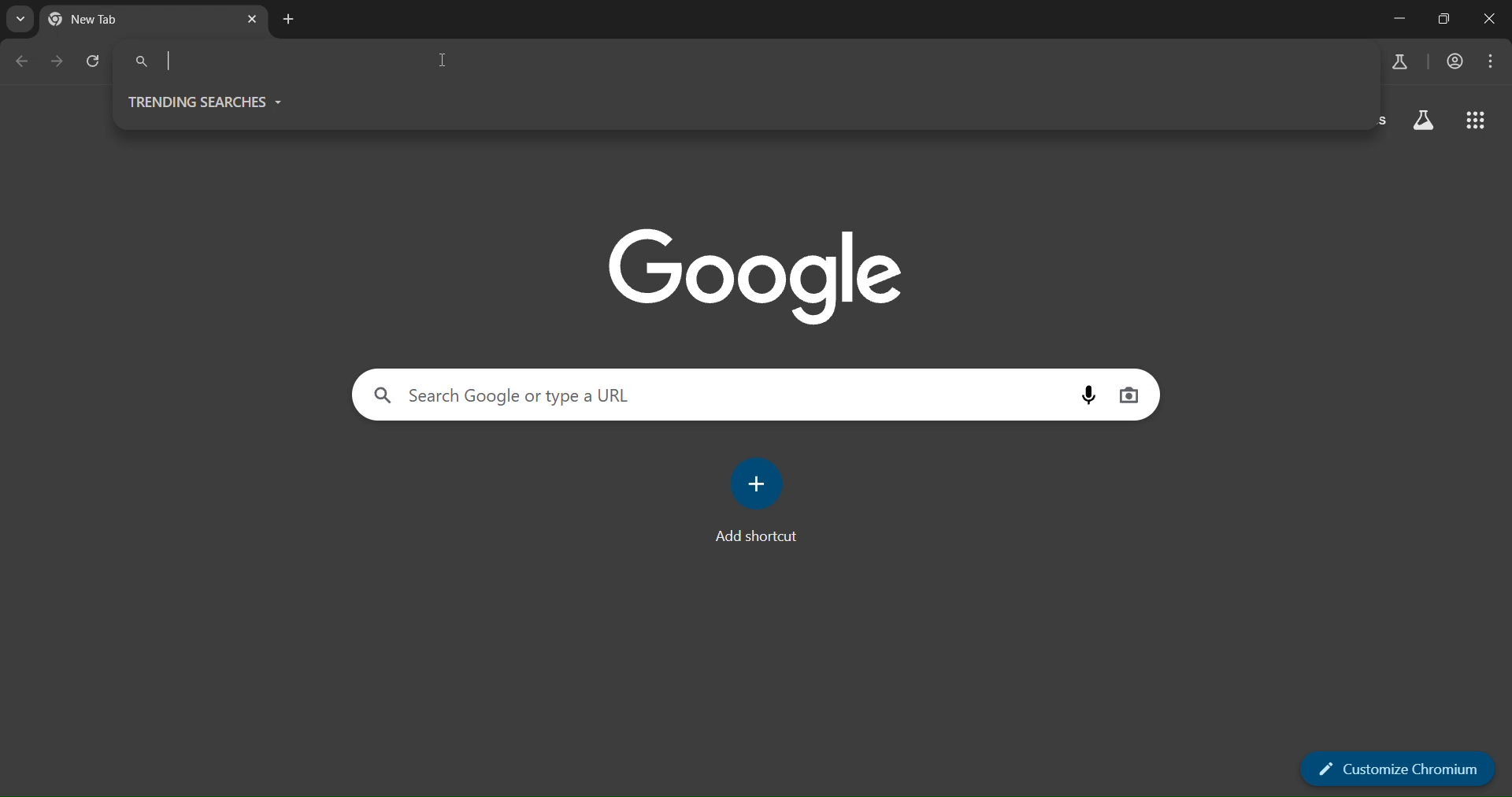  Describe the element at coordinates (755, 277) in the screenshot. I see `google` at that location.